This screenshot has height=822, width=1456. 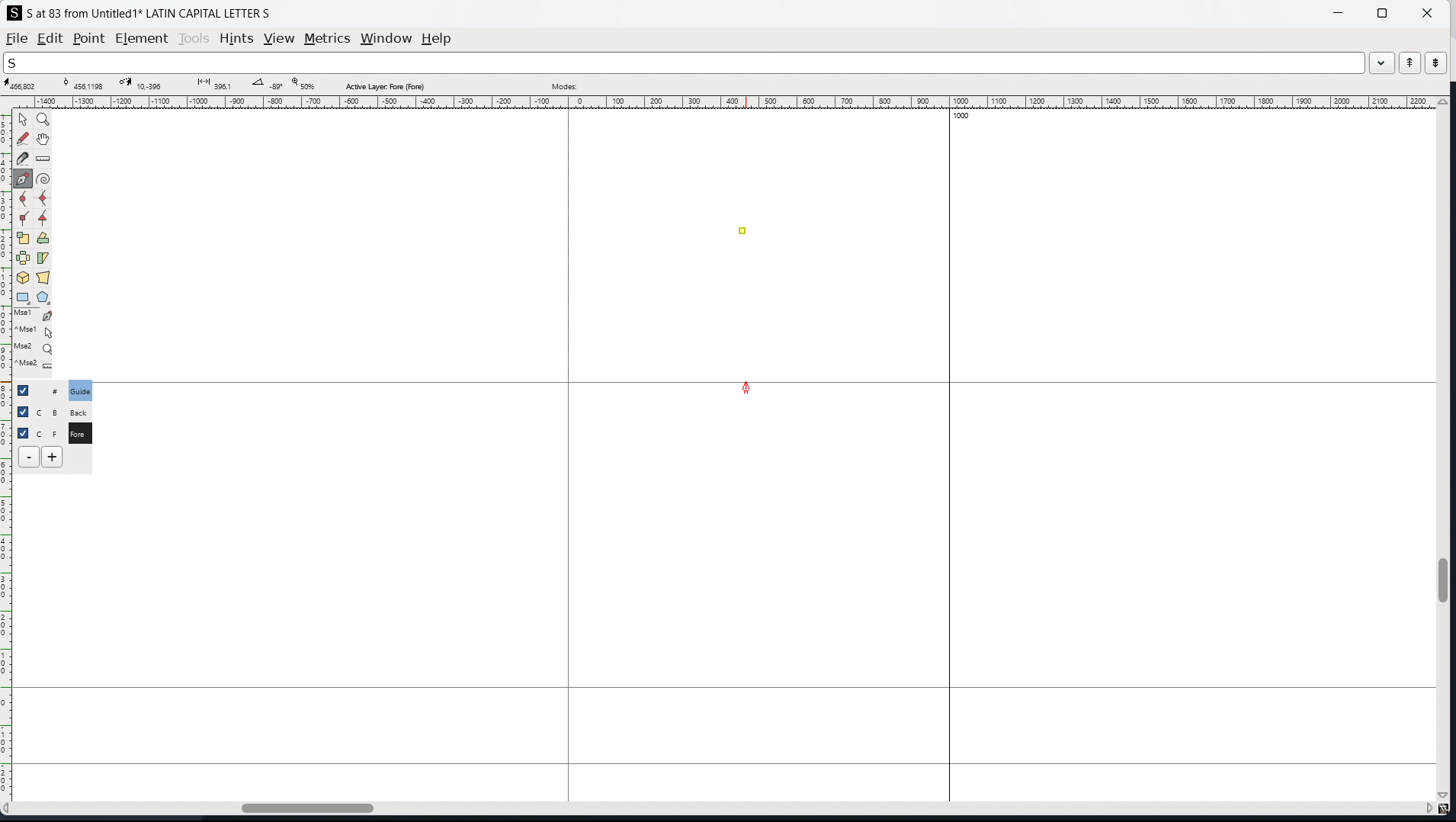 What do you see at coordinates (24, 178) in the screenshot?
I see `add a point then drag out its control points` at bounding box center [24, 178].